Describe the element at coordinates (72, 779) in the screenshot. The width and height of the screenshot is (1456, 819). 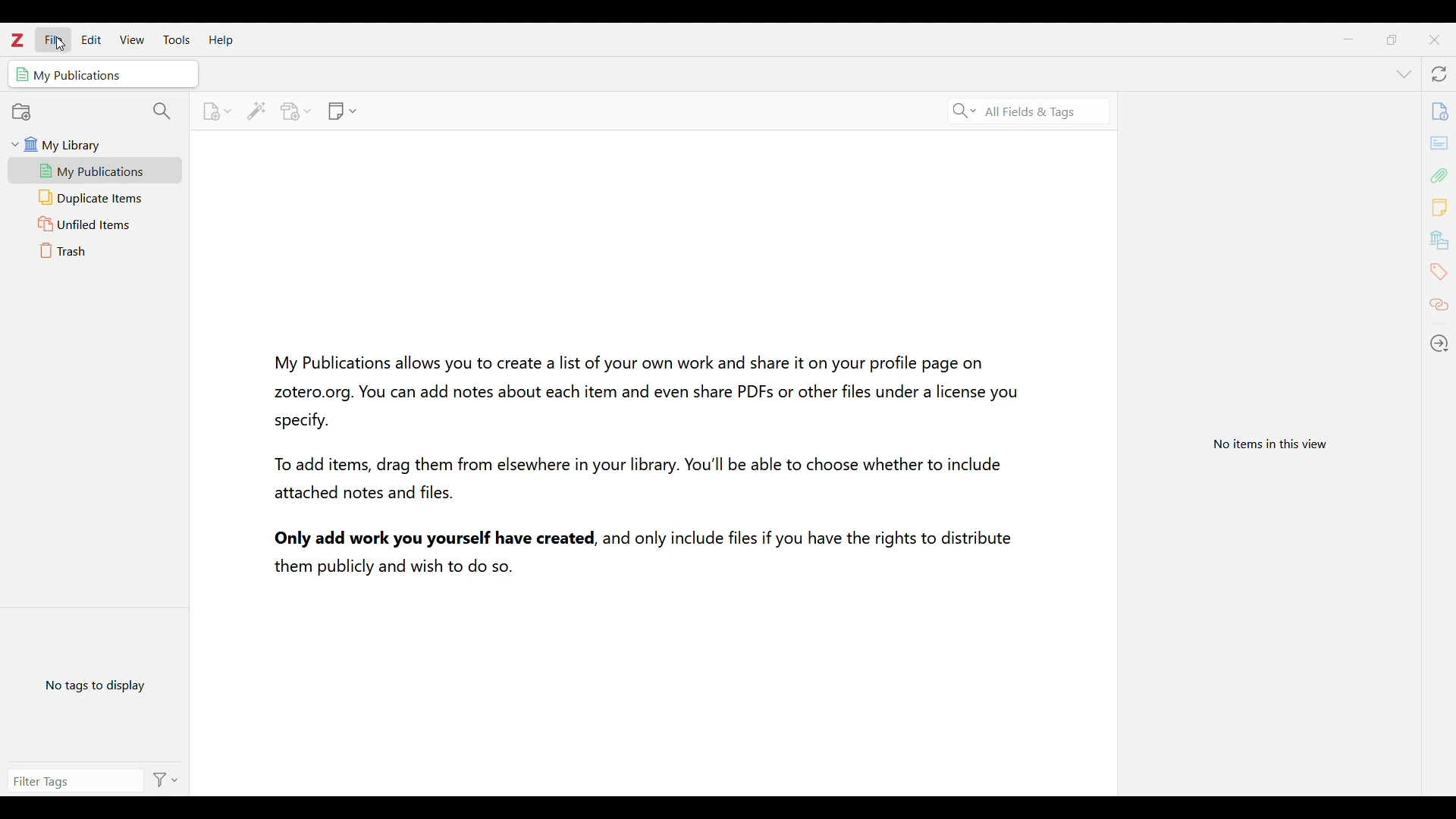
I see `Enter search manually` at that location.